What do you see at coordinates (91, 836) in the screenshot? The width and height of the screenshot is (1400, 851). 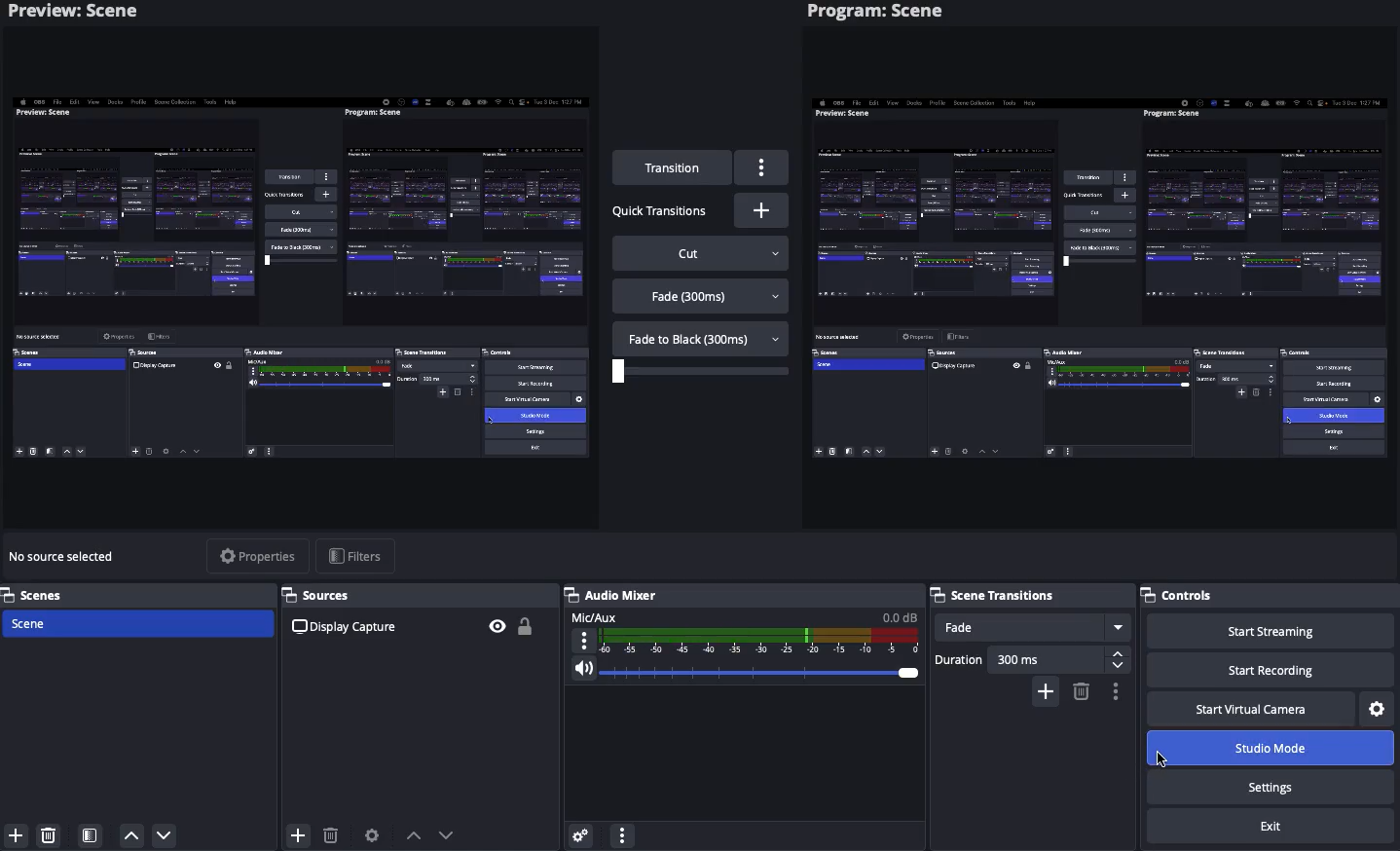 I see `Scene filter` at bounding box center [91, 836].